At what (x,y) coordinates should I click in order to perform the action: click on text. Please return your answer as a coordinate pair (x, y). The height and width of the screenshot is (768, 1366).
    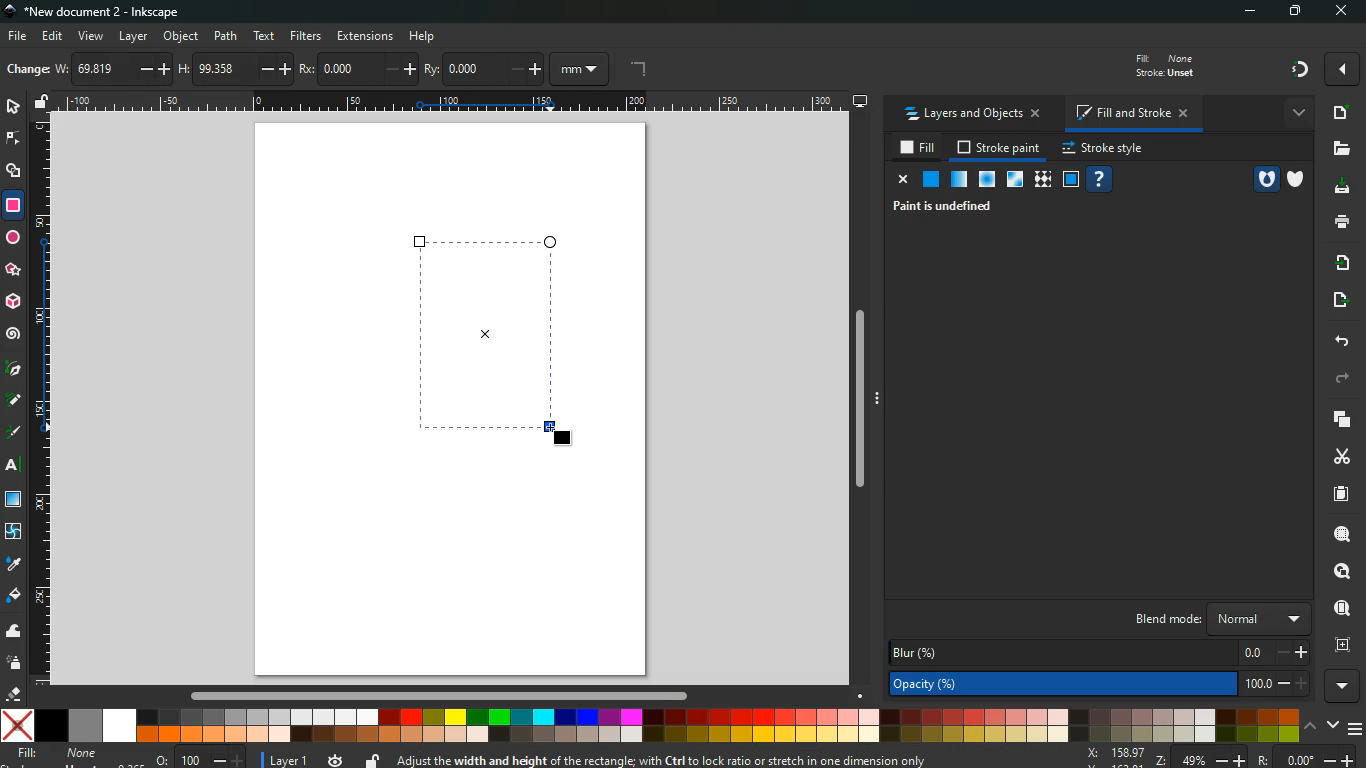
    Looking at the image, I should click on (266, 37).